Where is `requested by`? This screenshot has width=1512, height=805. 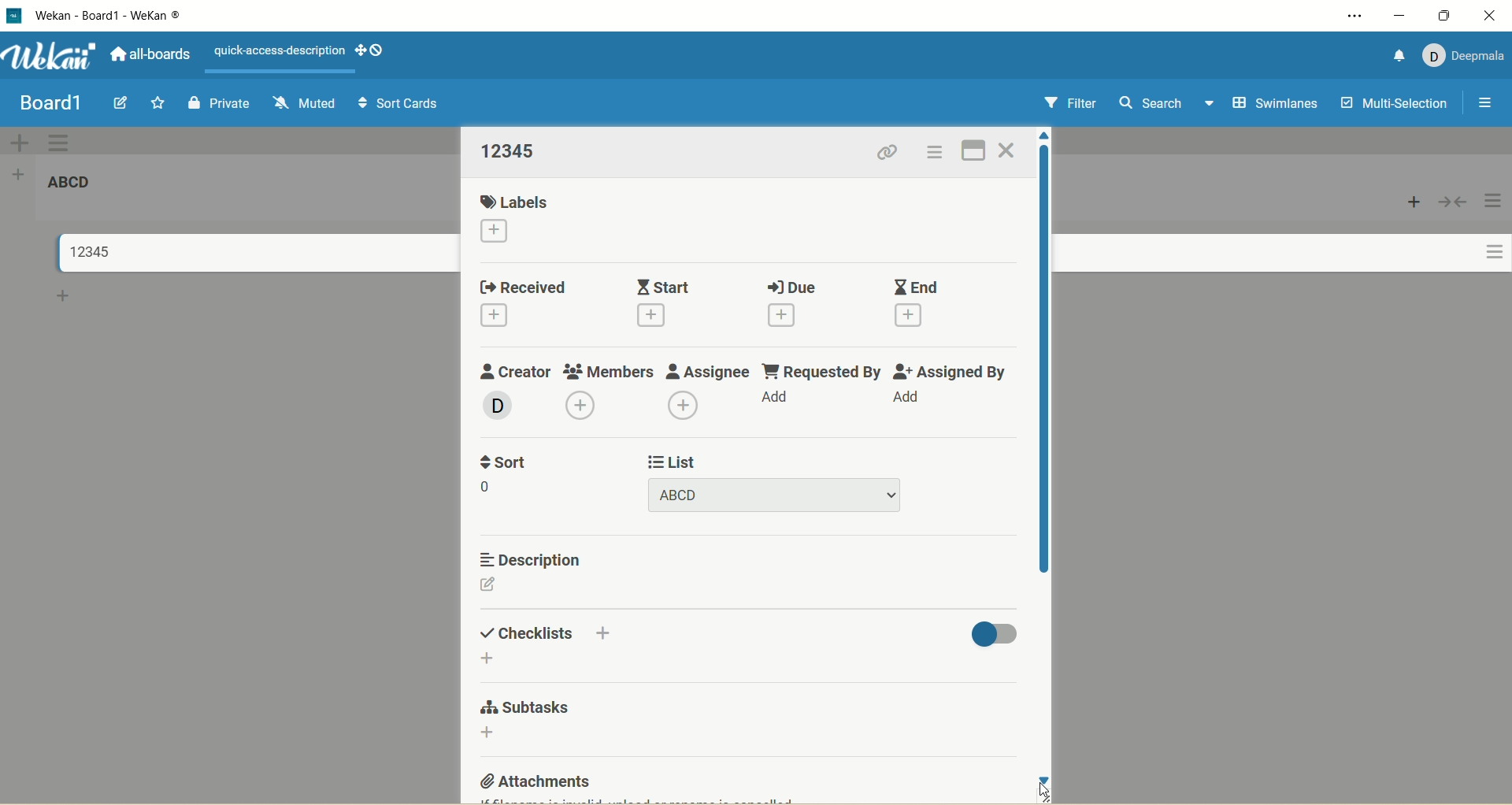
requested by is located at coordinates (820, 369).